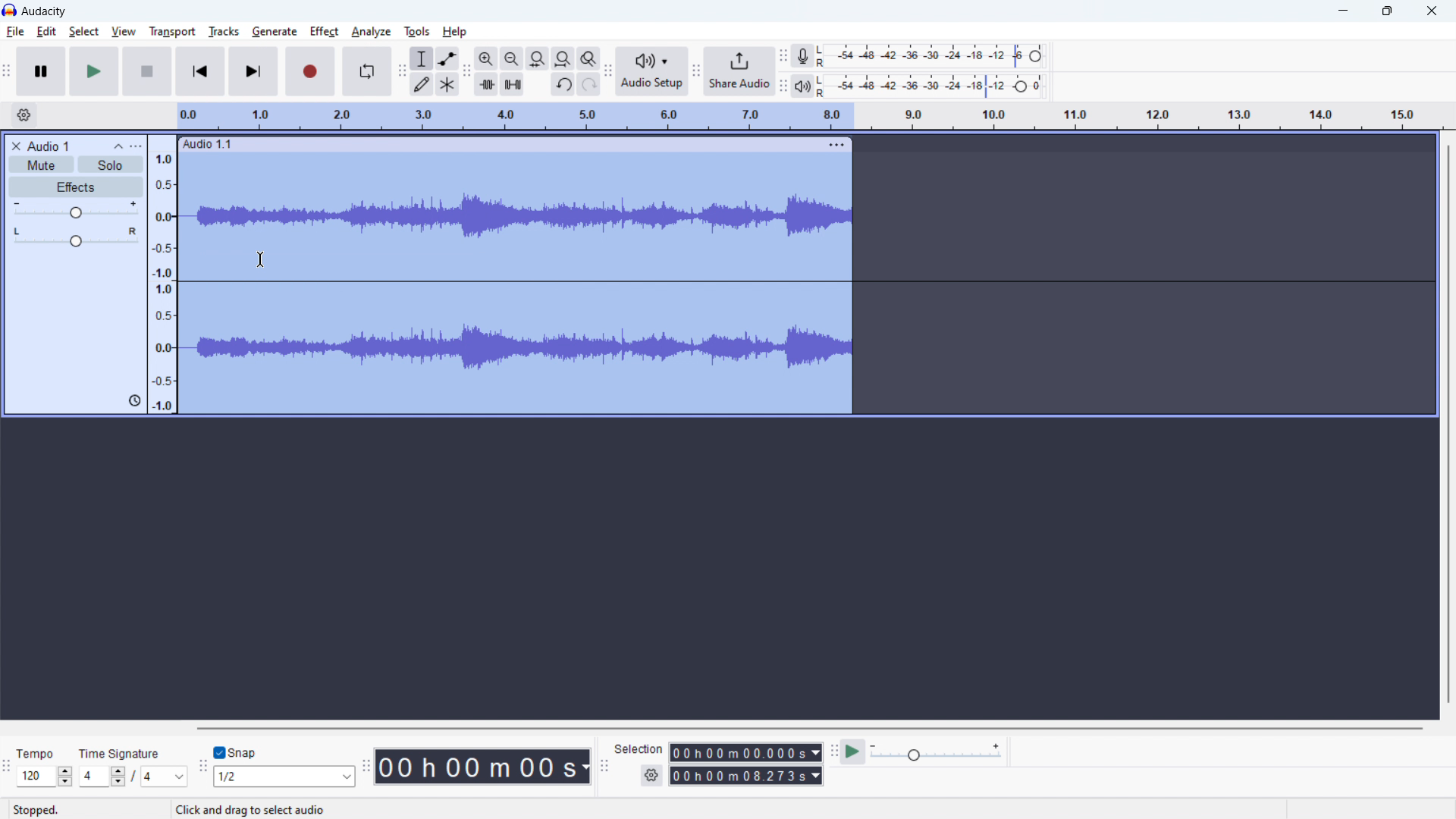 Image resolution: width=1456 pixels, height=819 pixels. What do you see at coordinates (588, 59) in the screenshot?
I see `toggle zoom` at bounding box center [588, 59].